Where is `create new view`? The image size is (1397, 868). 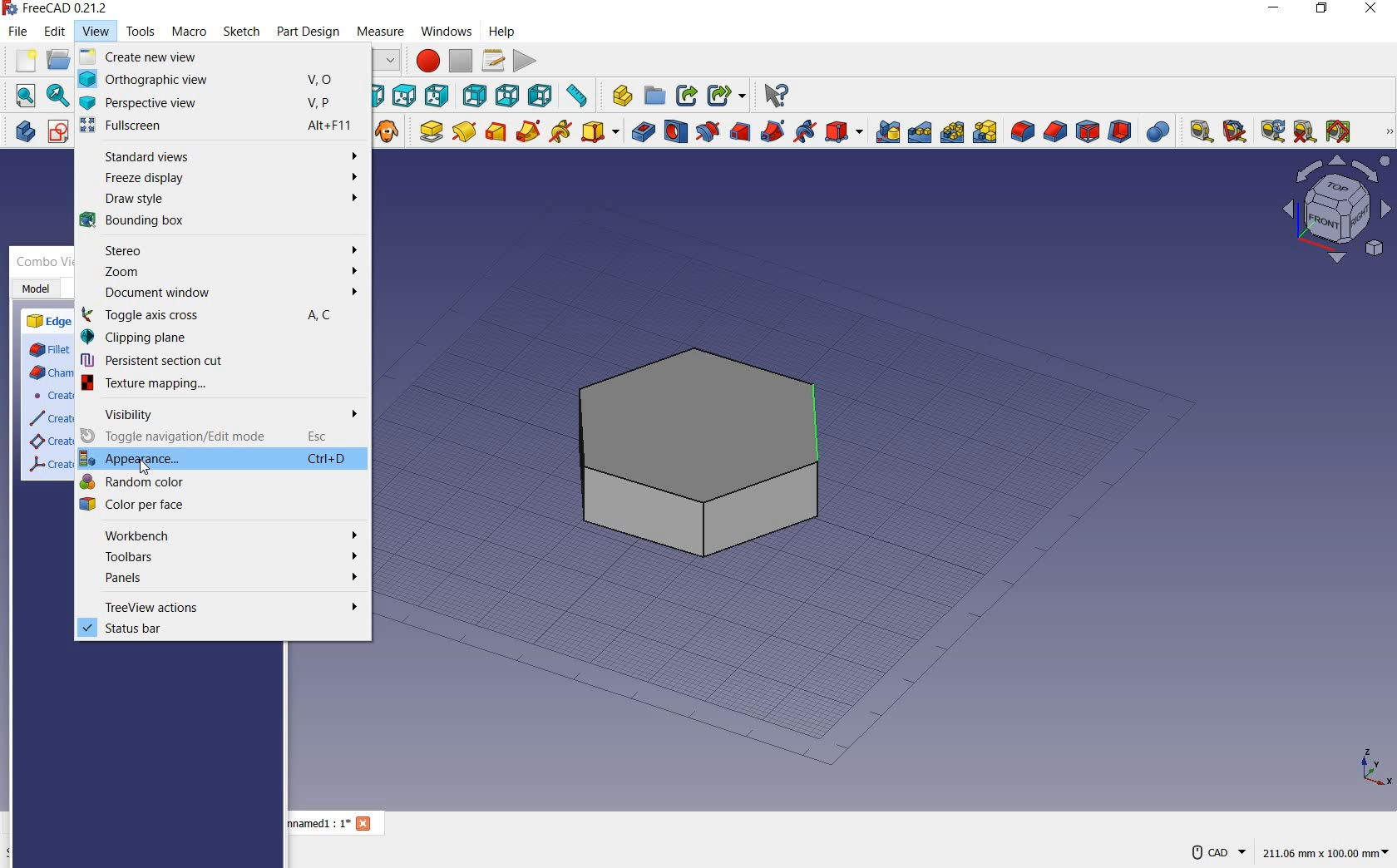
create new view is located at coordinates (215, 57).